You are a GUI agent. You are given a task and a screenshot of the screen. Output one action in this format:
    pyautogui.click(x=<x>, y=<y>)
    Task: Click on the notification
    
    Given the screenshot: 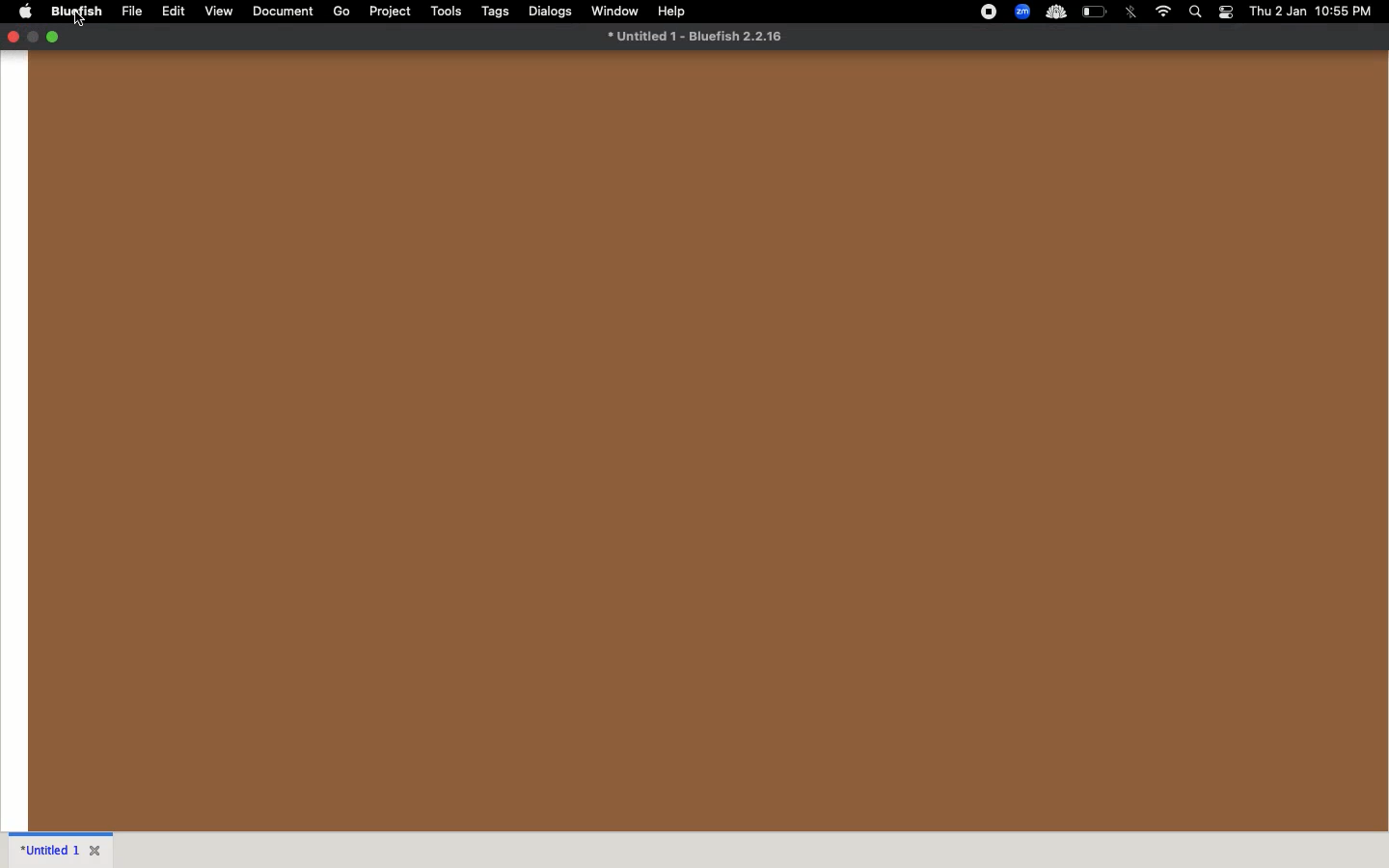 What is the action you would take?
    pyautogui.click(x=1227, y=13)
    